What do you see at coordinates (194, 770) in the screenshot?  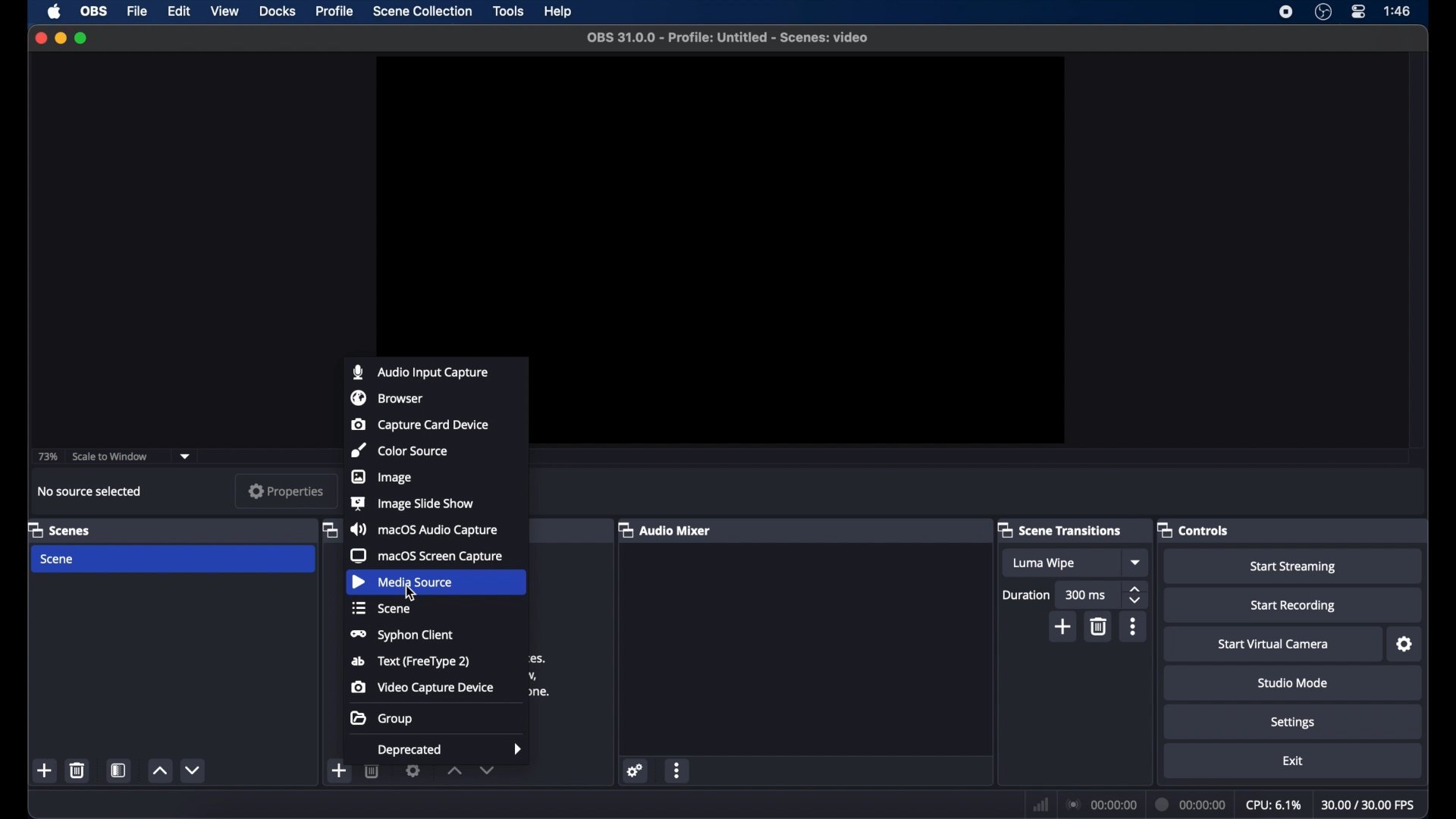 I see `decrement` at bounding box center [194, 770].